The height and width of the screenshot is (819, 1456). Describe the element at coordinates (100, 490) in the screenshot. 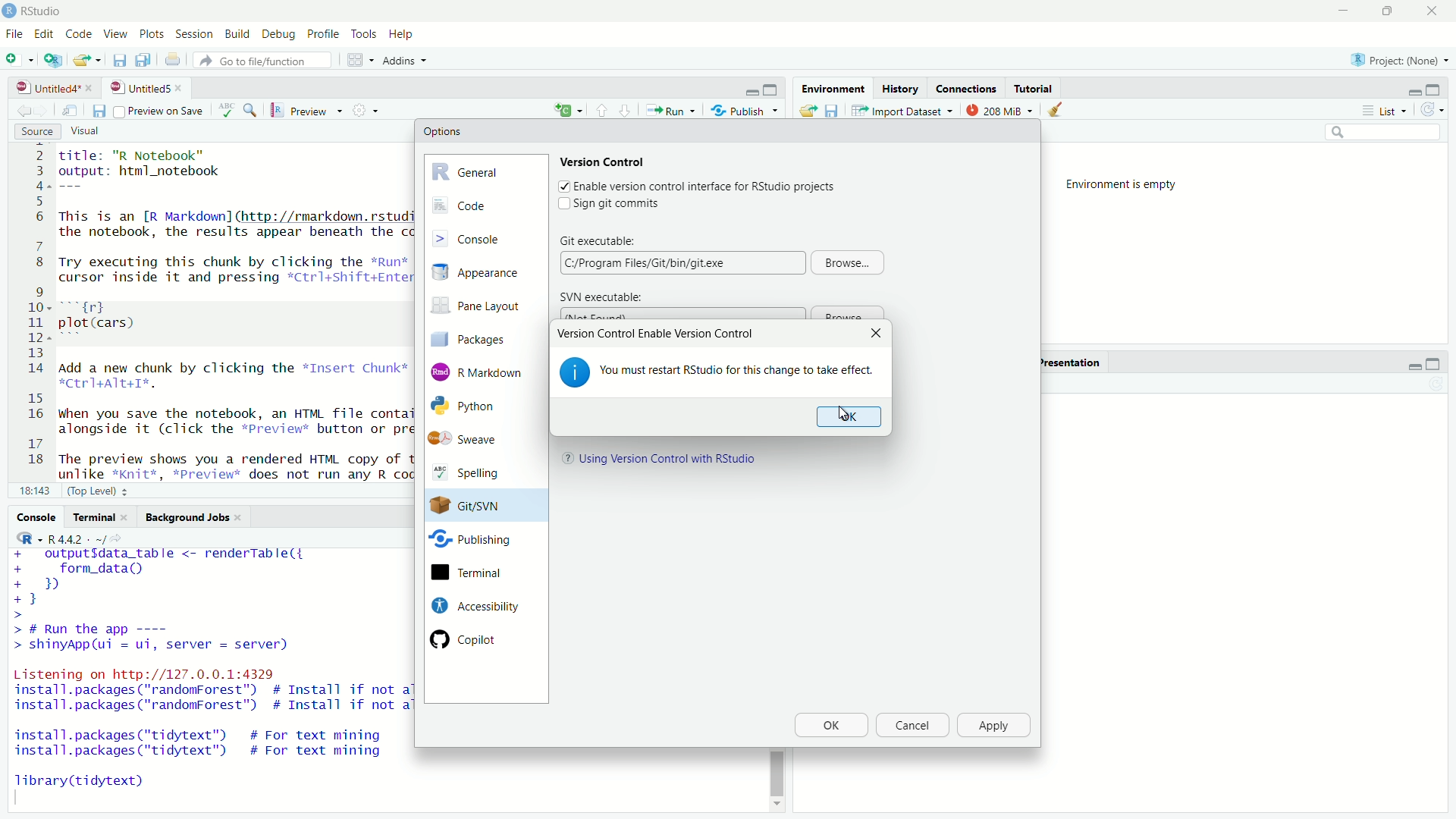

I see `(Top Level)` at that location.